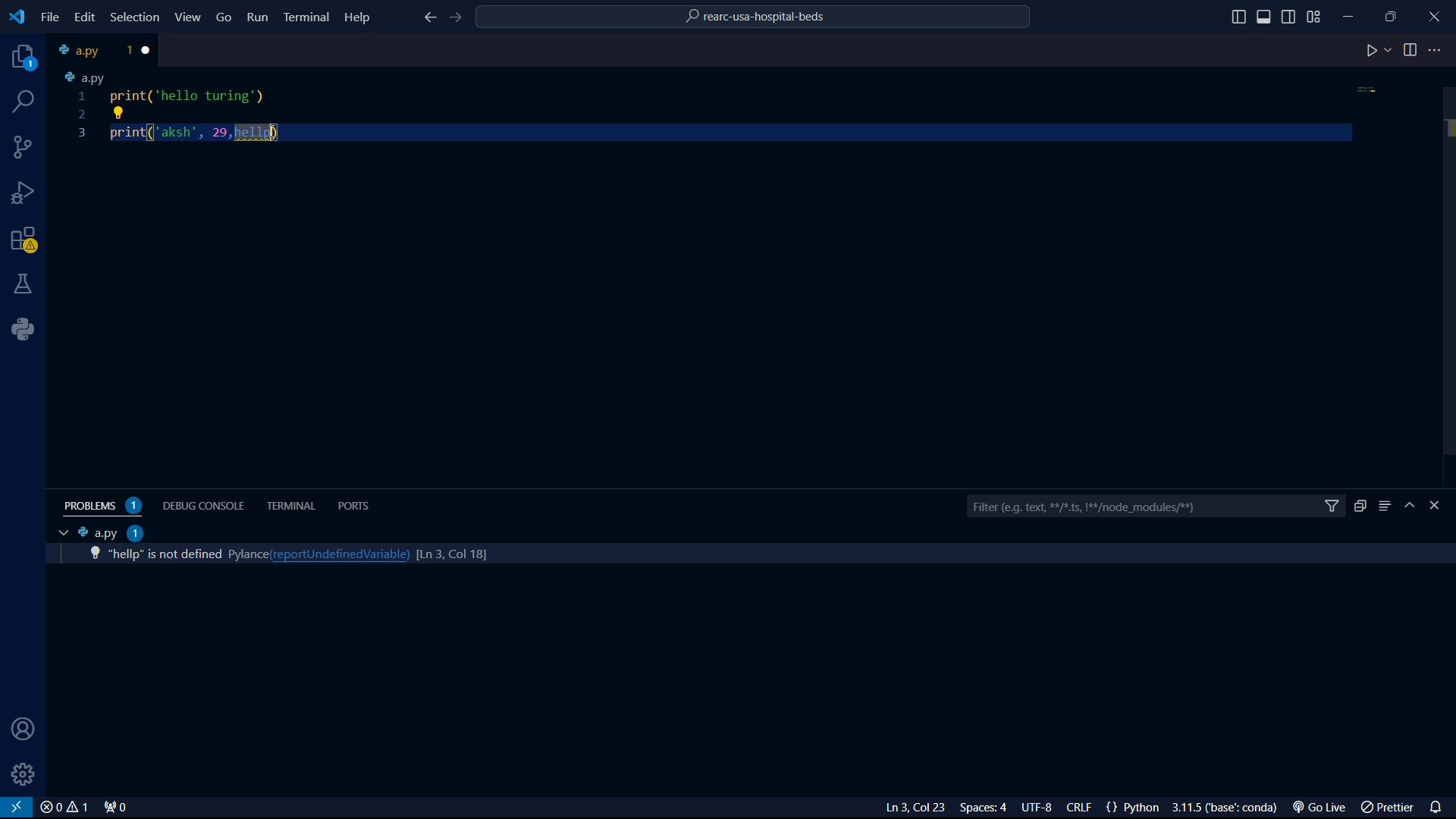 The width and height of the screenshot is (1456, 819). What do you see at coordinates (28, 329) in the screenshot?
I see `python` at bounding box center [28, 329].